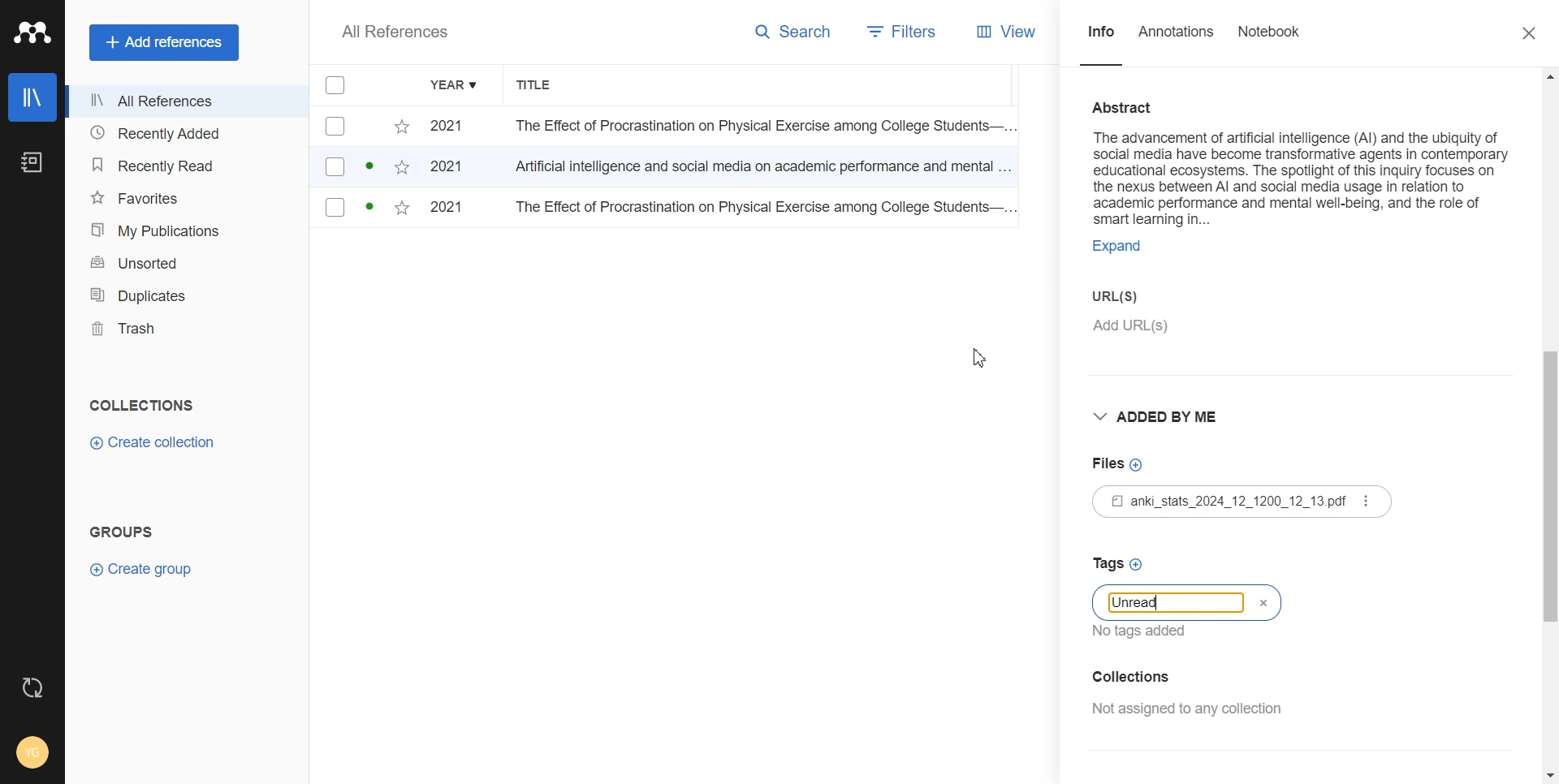 This screenshot has width=1559, height=784. Describe the element at coordinates (363, 127) in the screenshot. I see `checkbox` at that location.